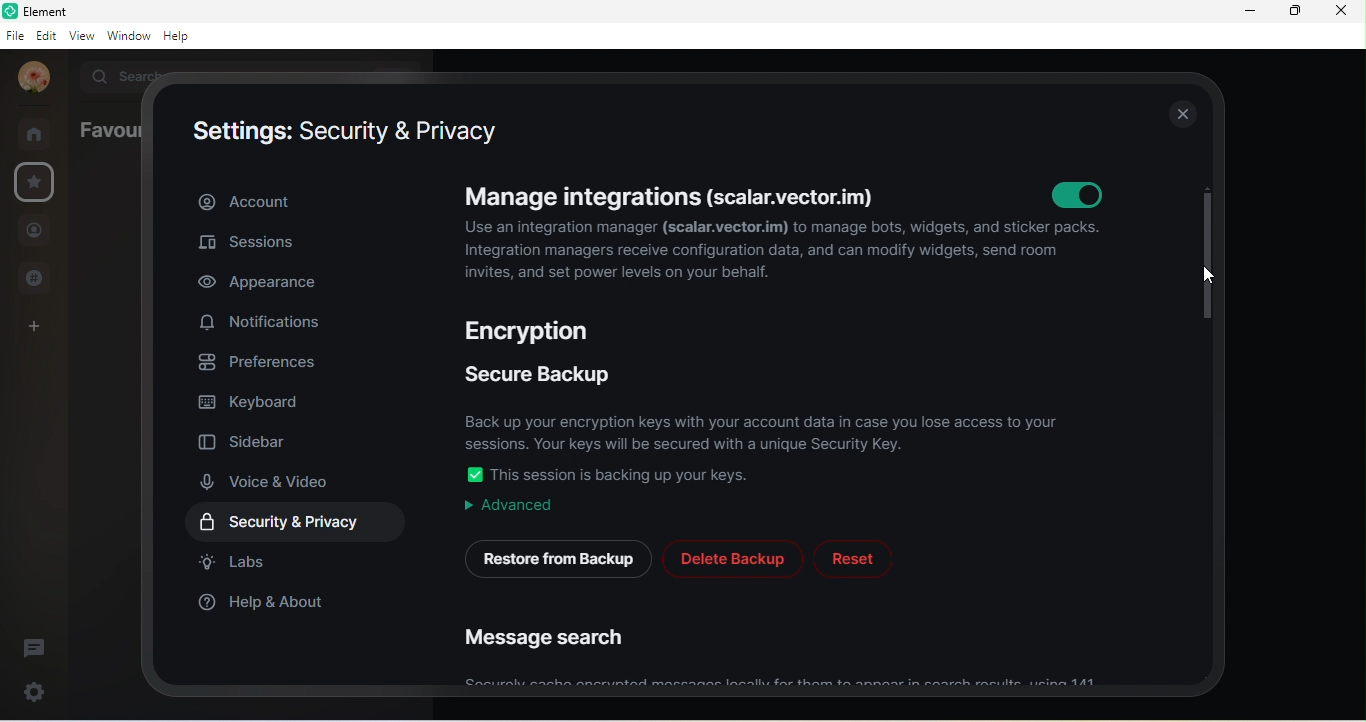  Describe the element at coordinates (1181, 113) in the screenshot. I see `close` at that location.